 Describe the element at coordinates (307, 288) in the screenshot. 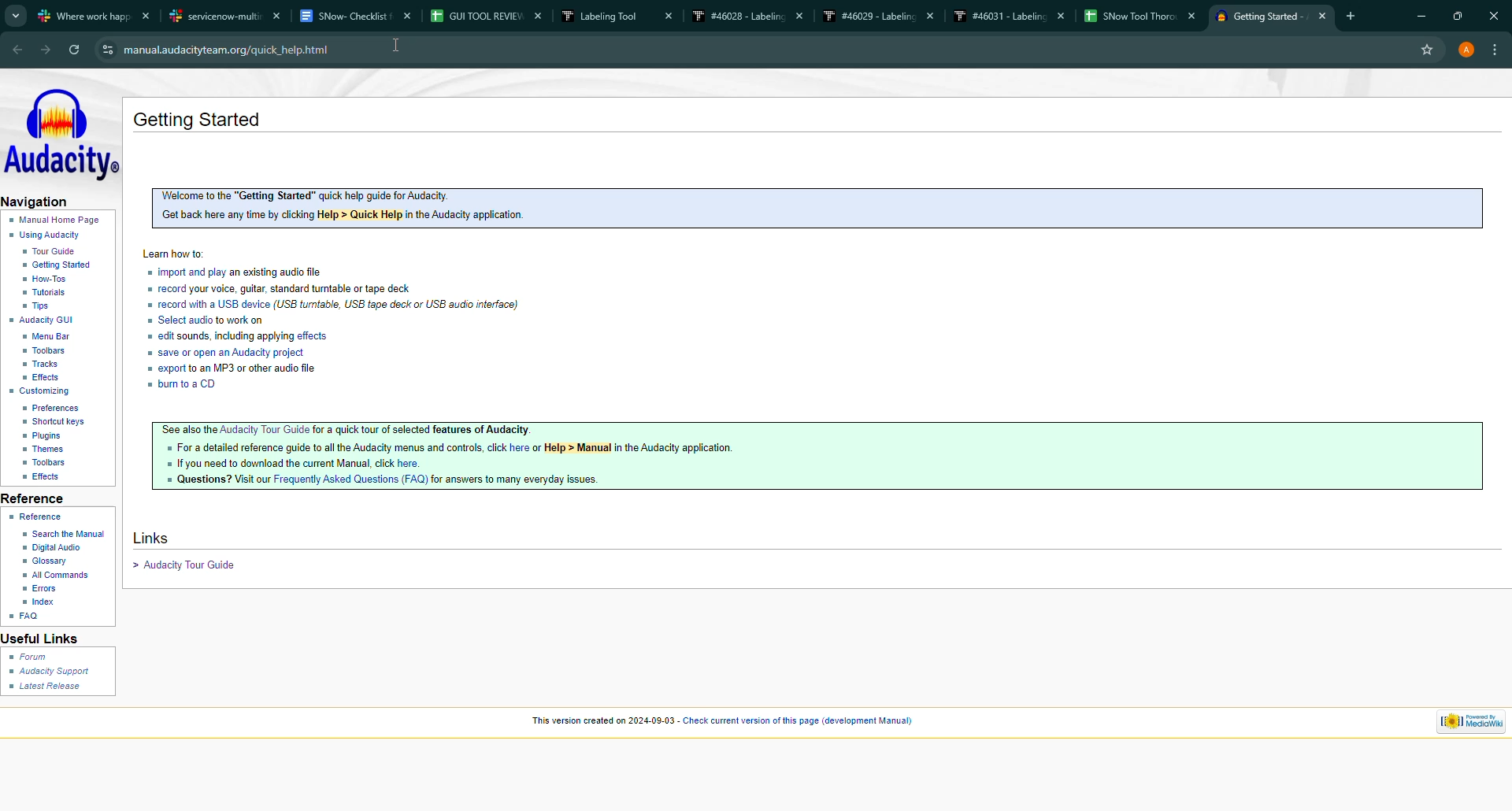

I see `your voice, guitar, standard turntable or tape deck.` at that location.